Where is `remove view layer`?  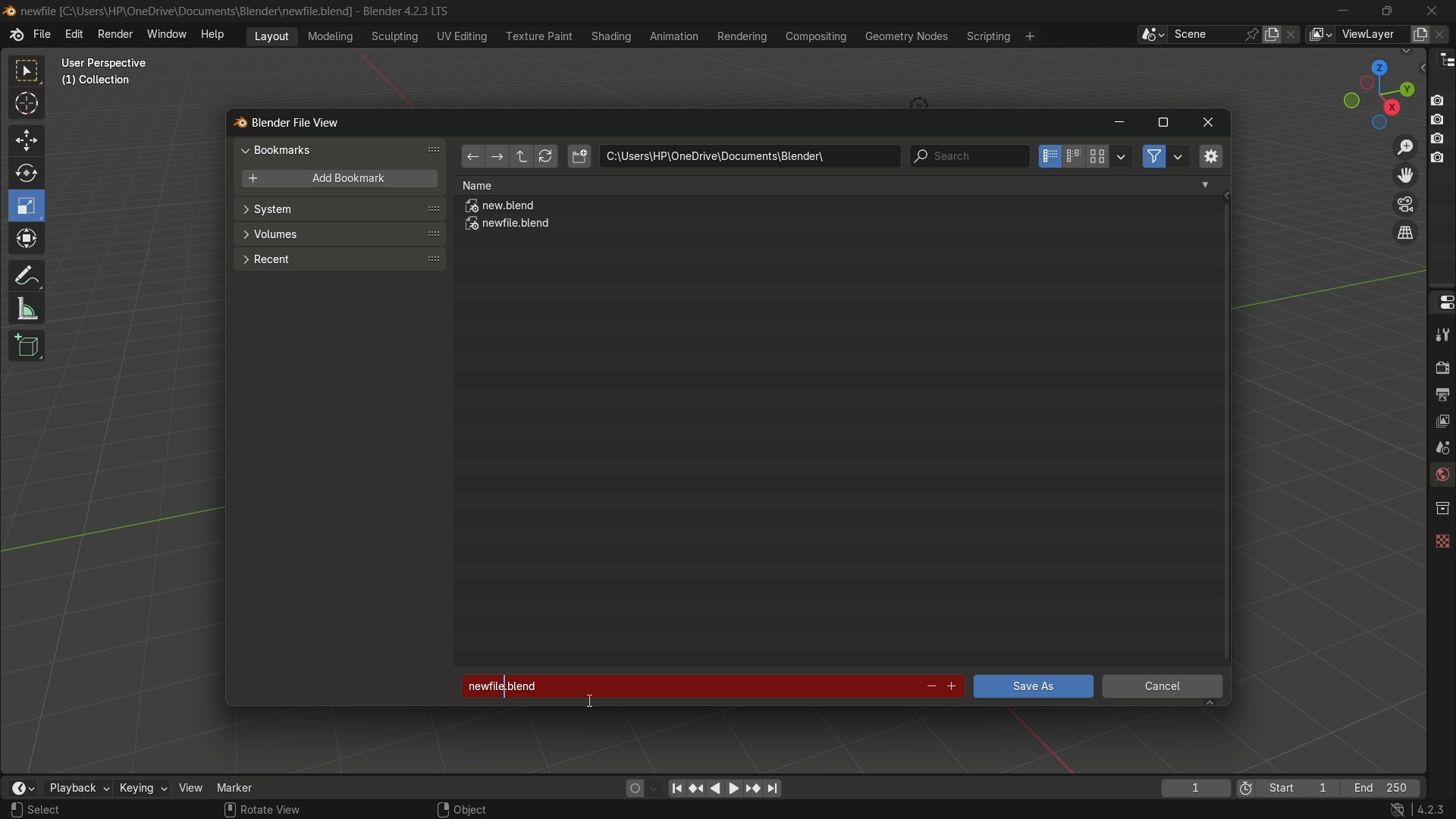 remove view layer is located at coordinates (1443, 33).